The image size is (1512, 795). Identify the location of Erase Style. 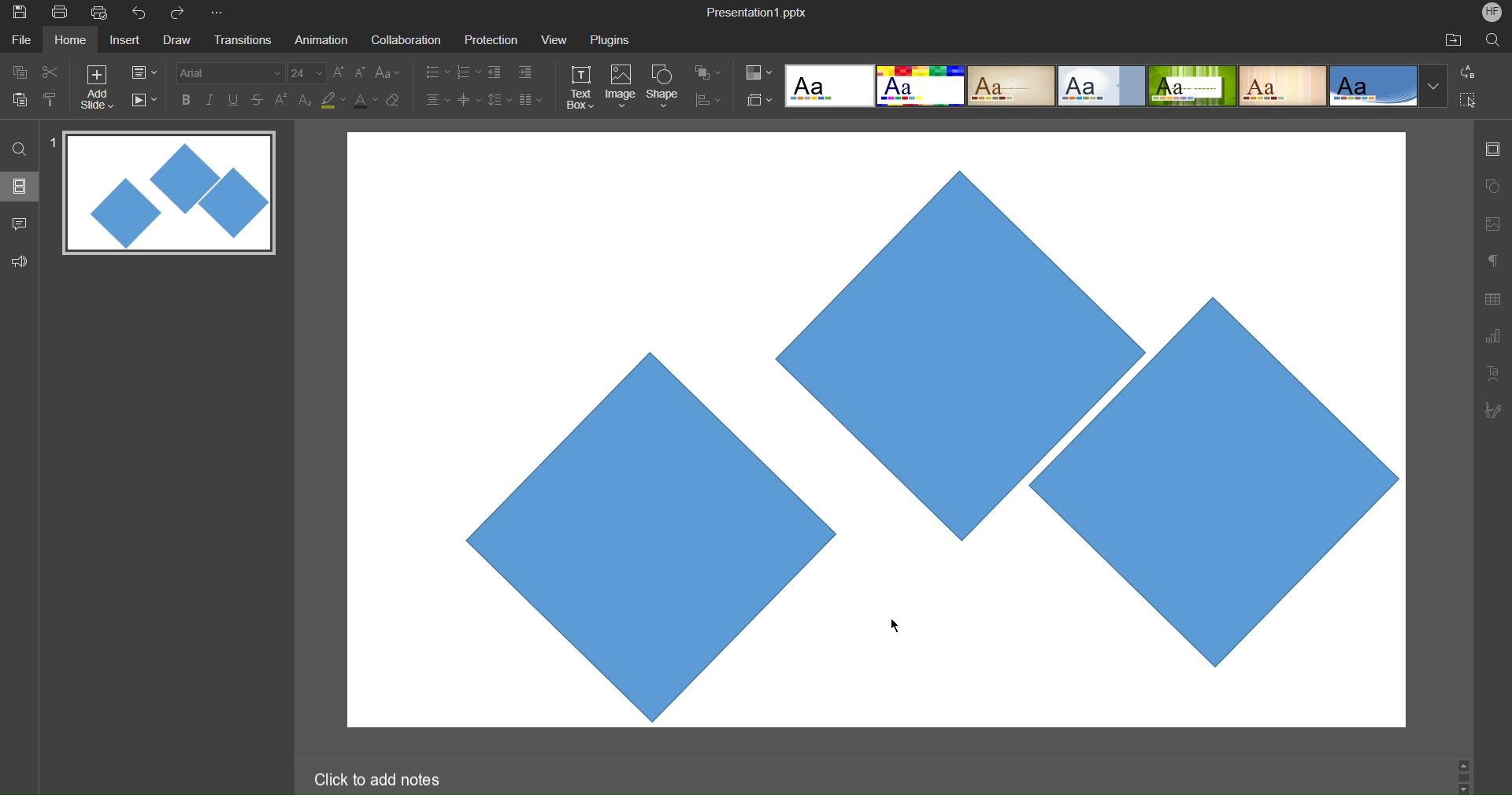
(395, 100).